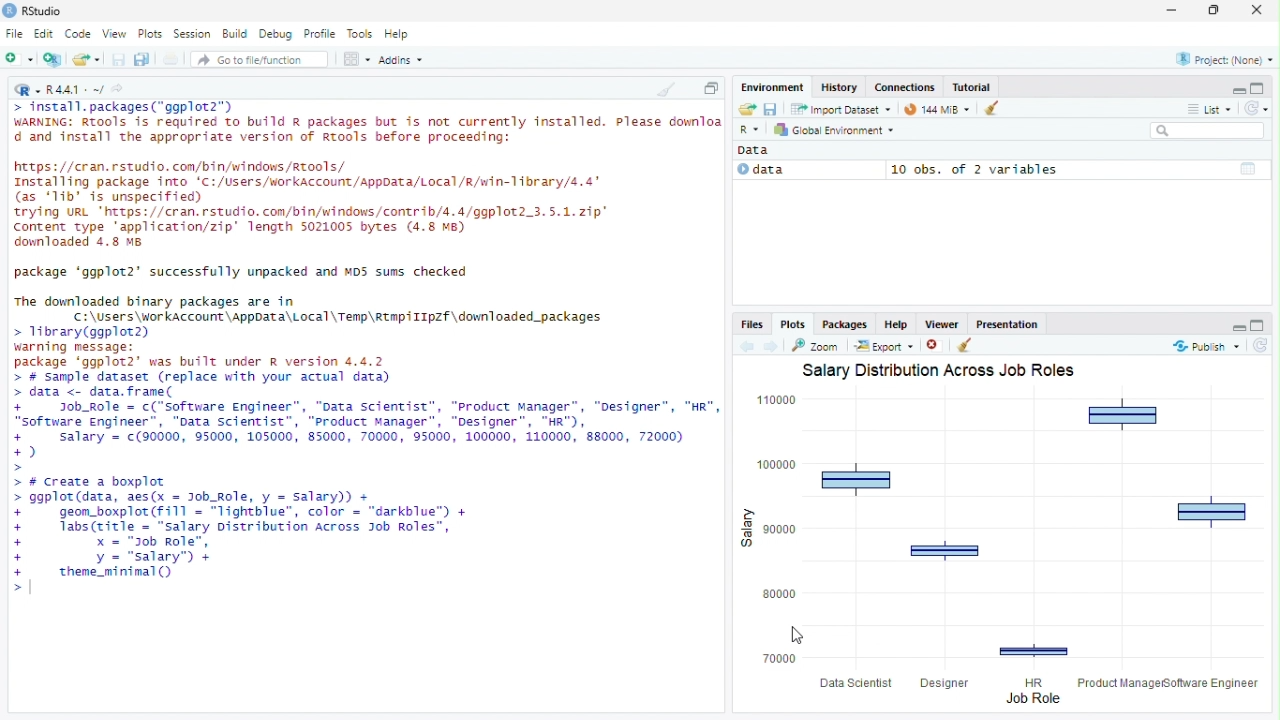 This screenshot has width=1280, height=720. What do you see at coordinates (770, 108) in the screenshot?
I see `Save workspace as` at bounding box center [770, 108].